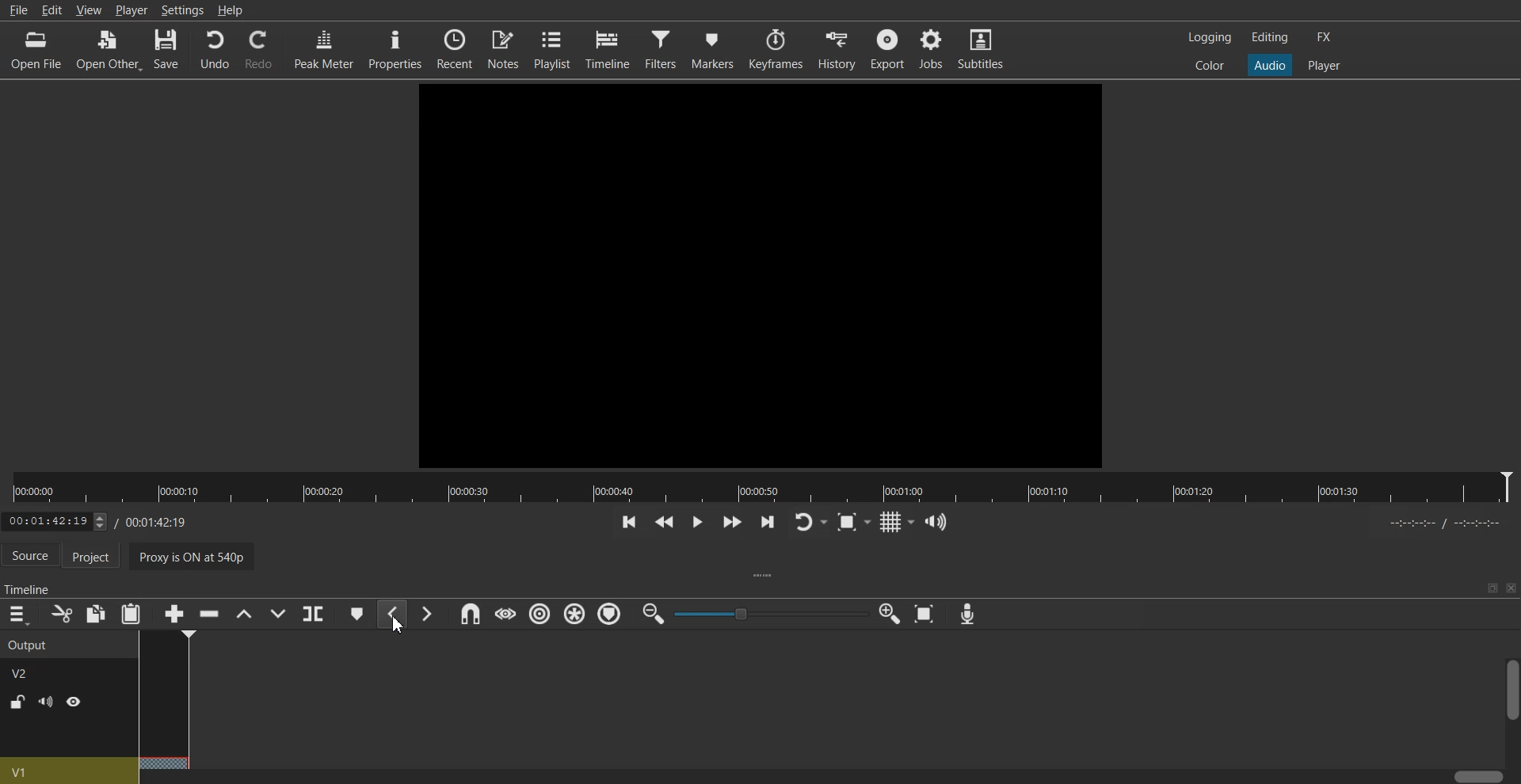 Image resolution: width=1521 pixels, height=784 pixels. I want to click on Audio file slider, so click(760, 487).